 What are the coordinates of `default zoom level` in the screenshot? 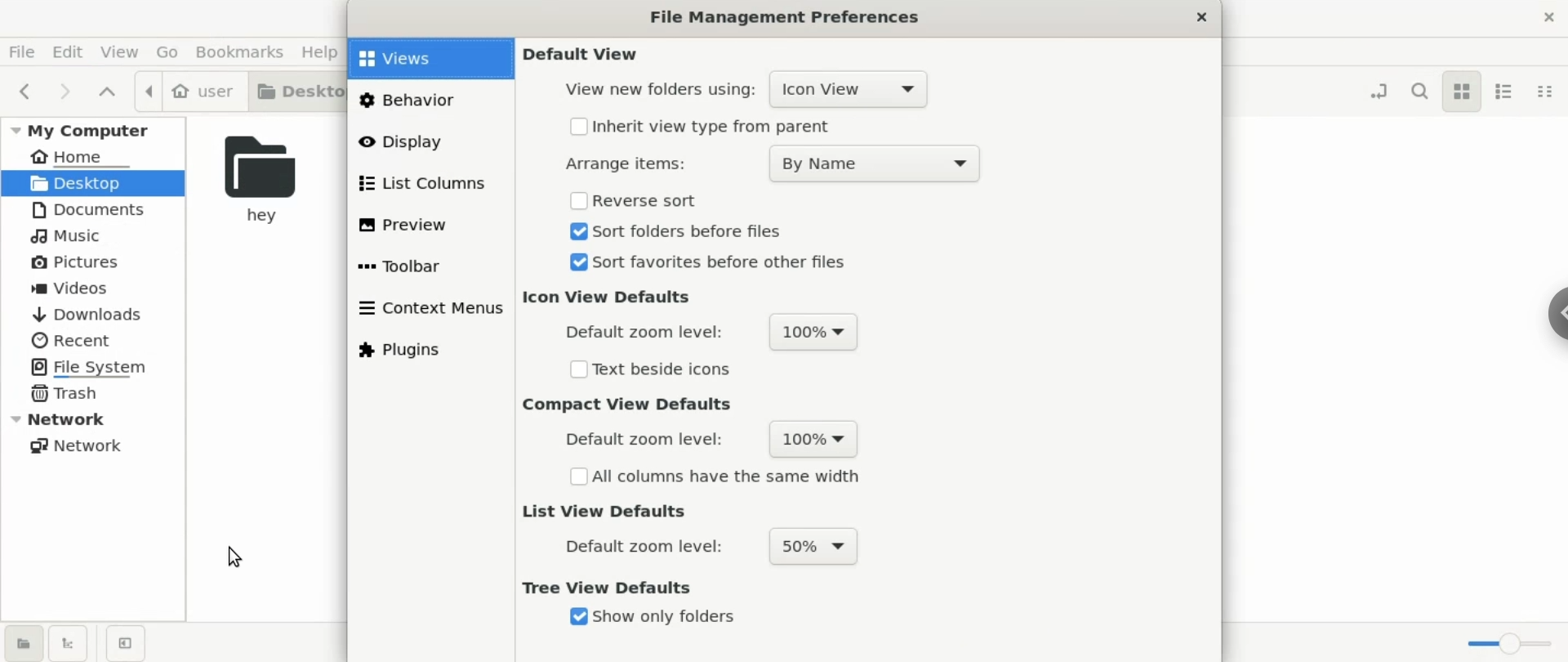 It's located at (646, 548).